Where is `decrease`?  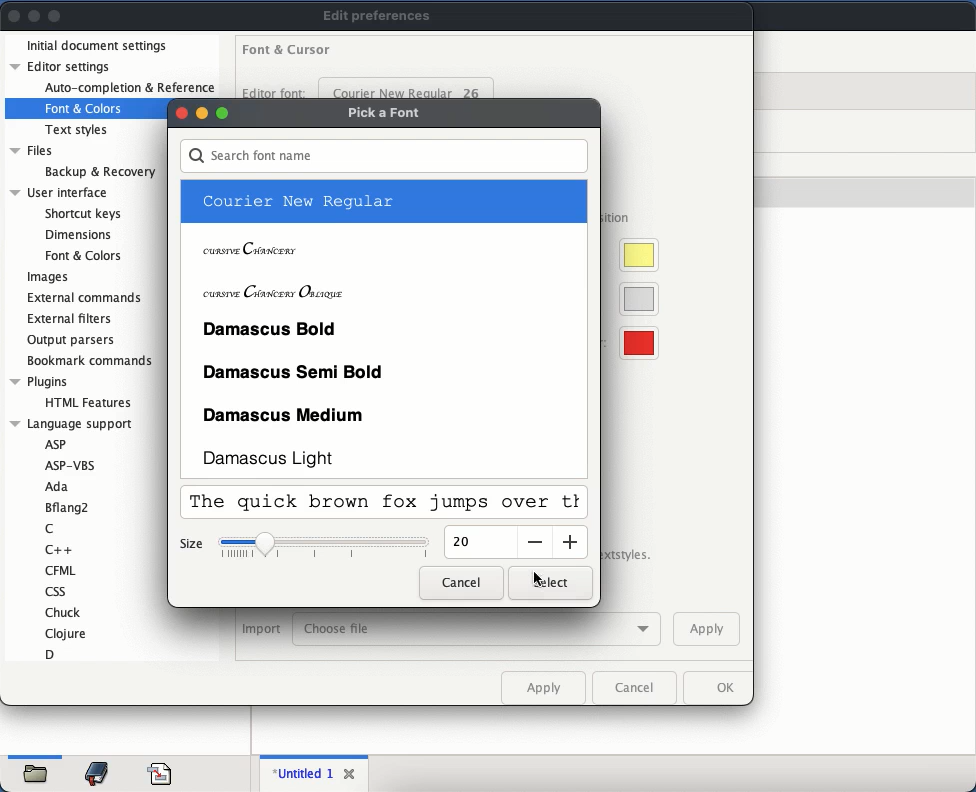
decrease is located at coordinates (534, 542).